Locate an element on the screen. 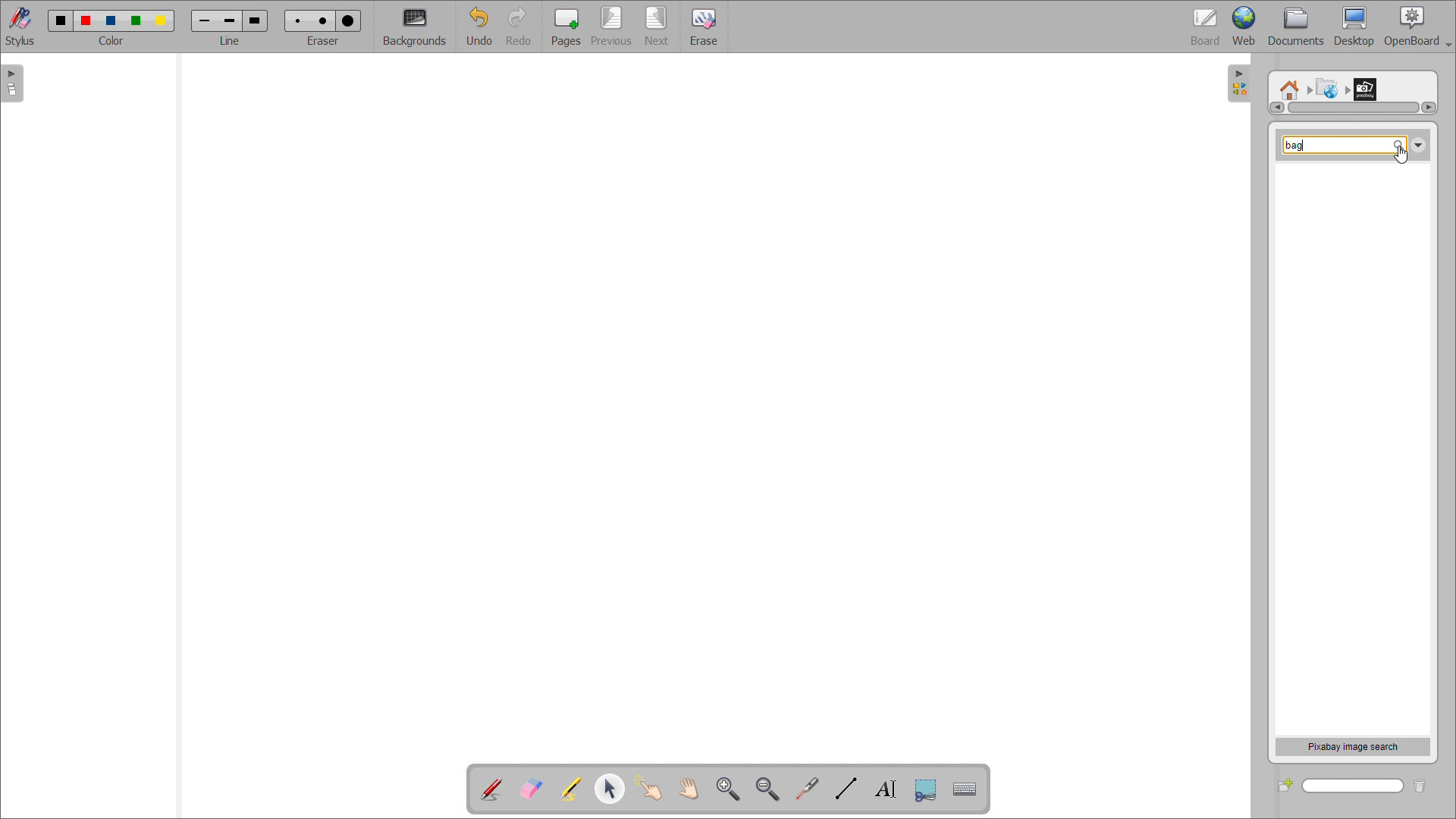  scroll left is located at coordinates (1276, 108).